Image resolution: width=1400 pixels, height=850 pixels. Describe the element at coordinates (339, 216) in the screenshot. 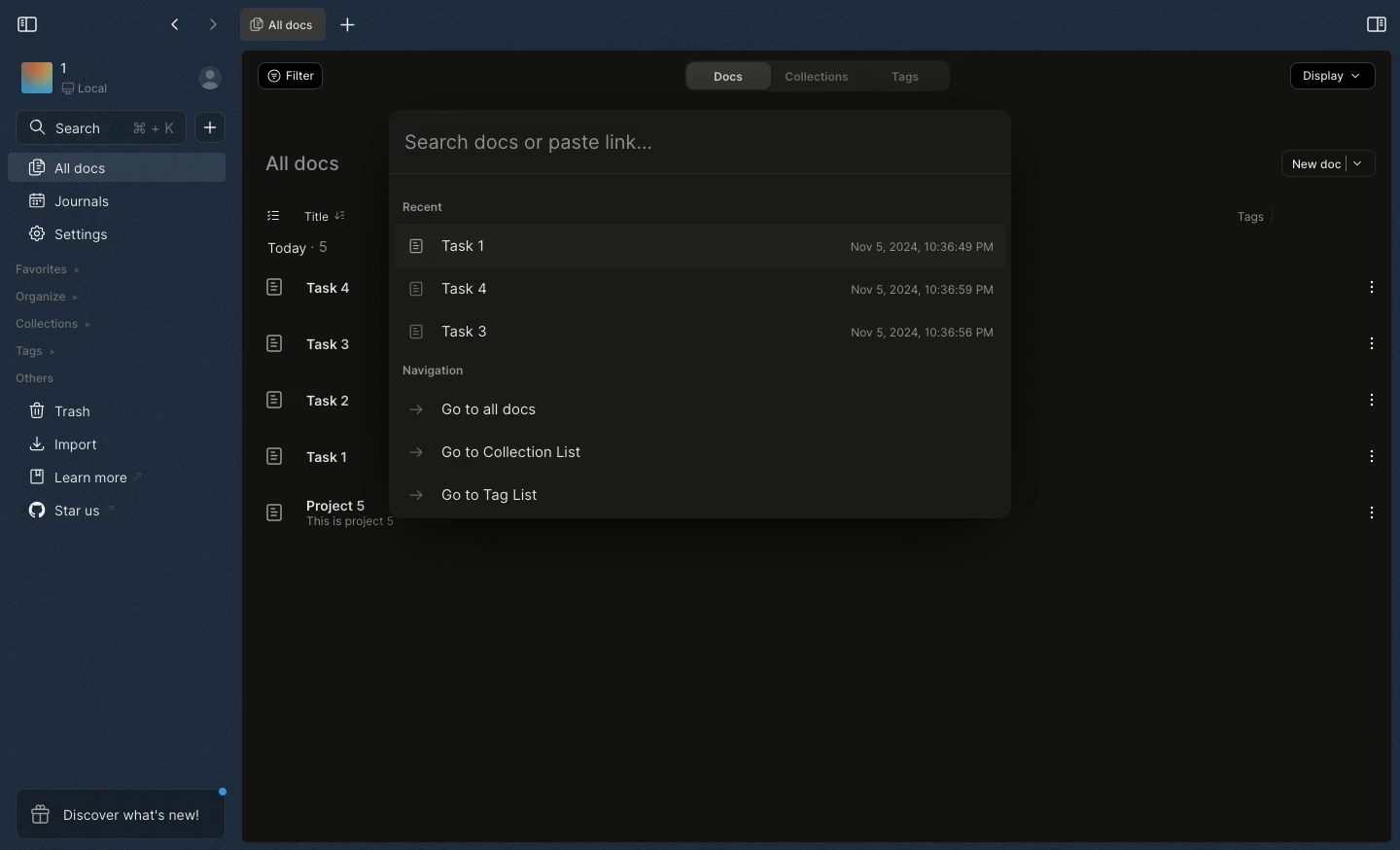

I see `Sorting` at that location.